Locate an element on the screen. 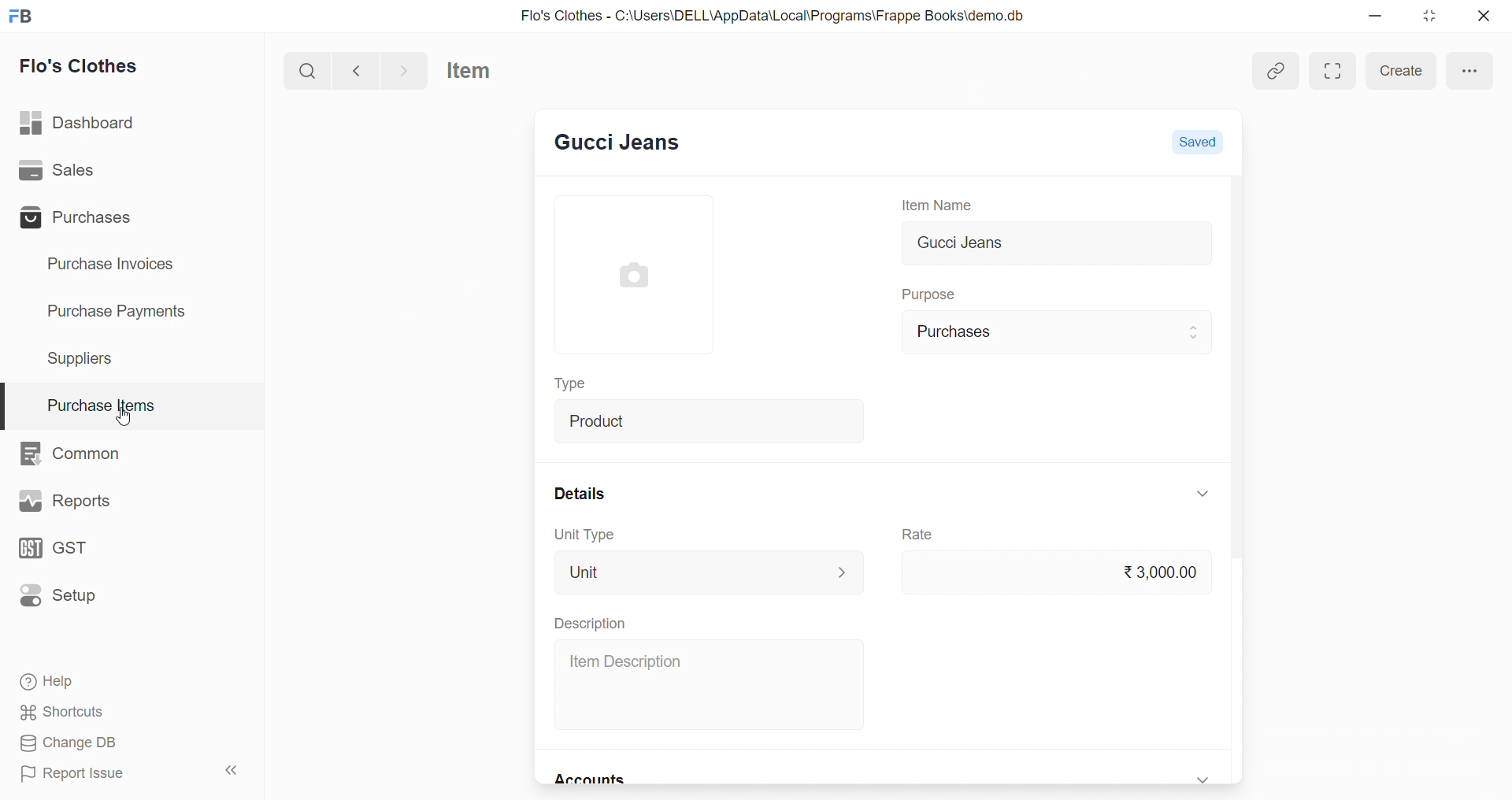  Type is located at coordinates (577, 385).